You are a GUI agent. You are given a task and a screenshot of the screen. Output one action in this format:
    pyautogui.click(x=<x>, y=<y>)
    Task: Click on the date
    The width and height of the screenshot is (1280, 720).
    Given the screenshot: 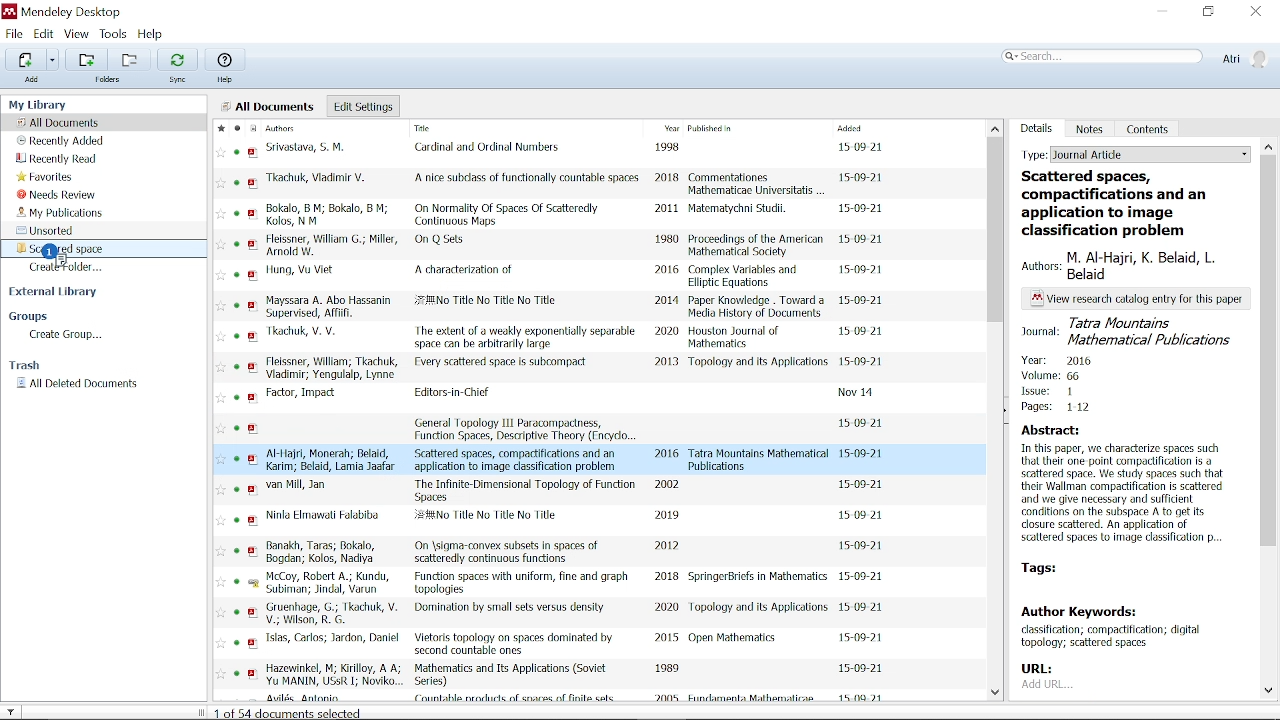 What is the action you would take?
    pyautogui.click(x=864, y=362)
    